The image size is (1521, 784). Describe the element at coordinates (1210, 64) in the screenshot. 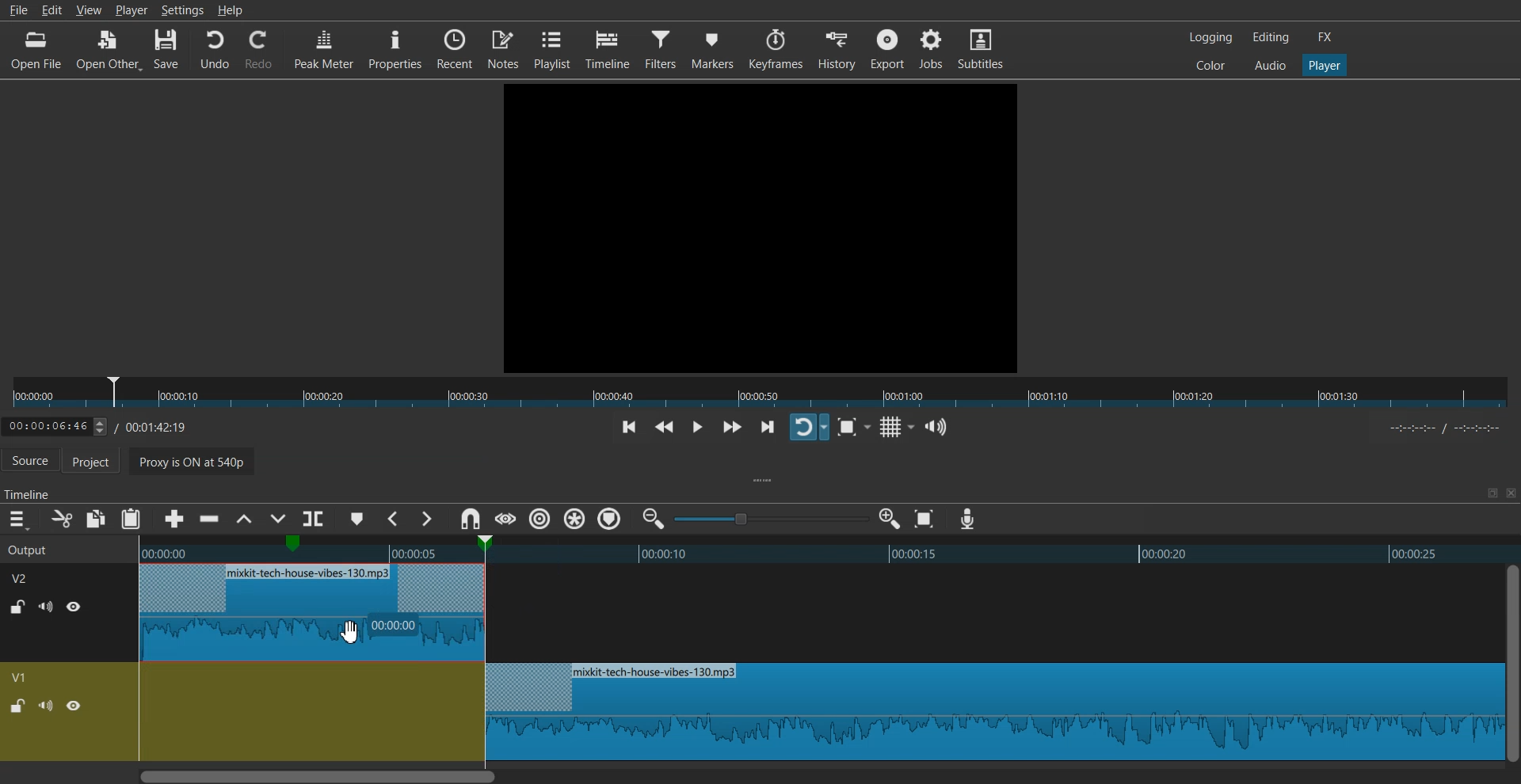

I see `Colors` at that location.